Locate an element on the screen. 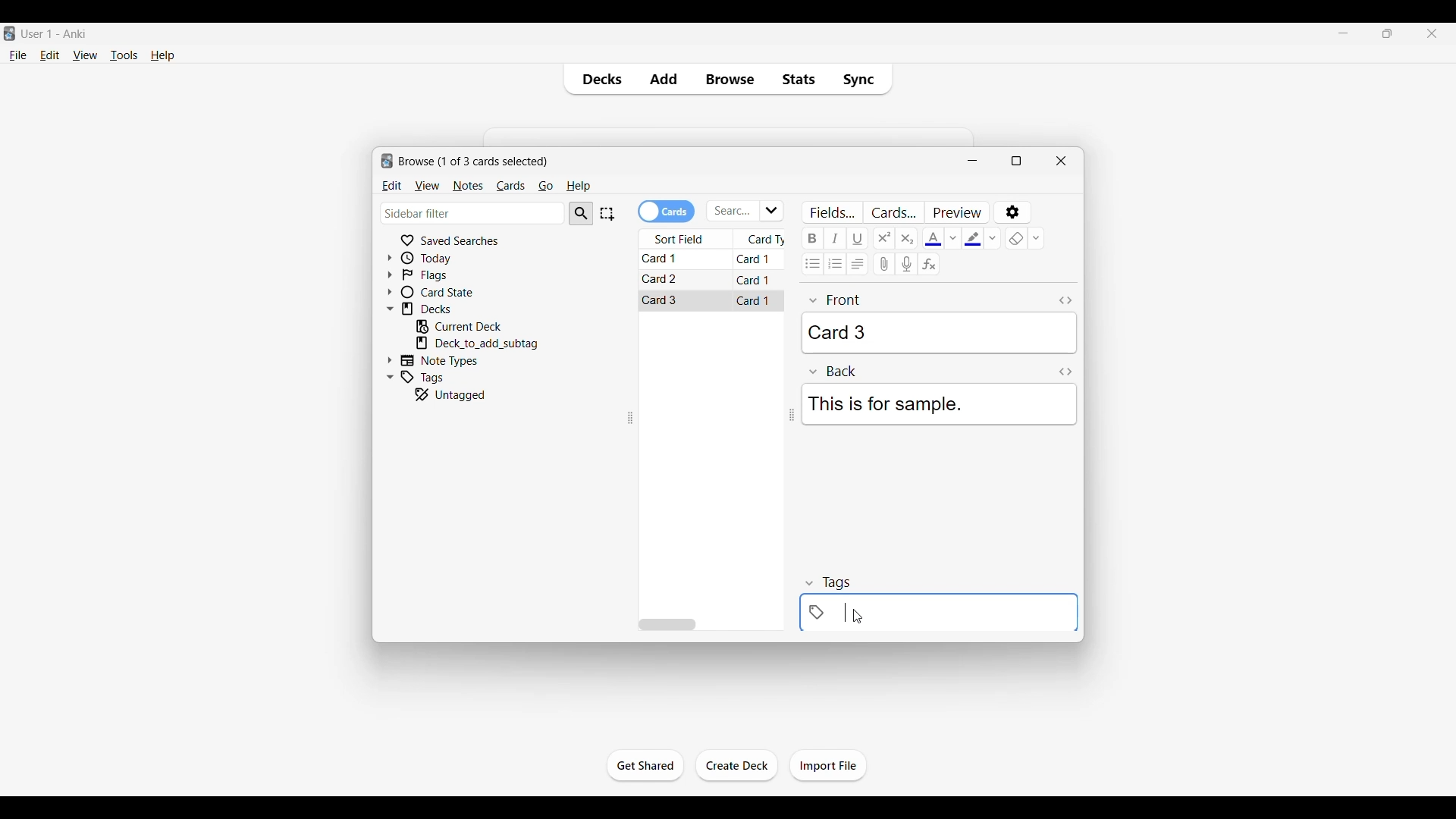 The image size is (1456, 819). Card 1 is located at coordinates (755, 259).